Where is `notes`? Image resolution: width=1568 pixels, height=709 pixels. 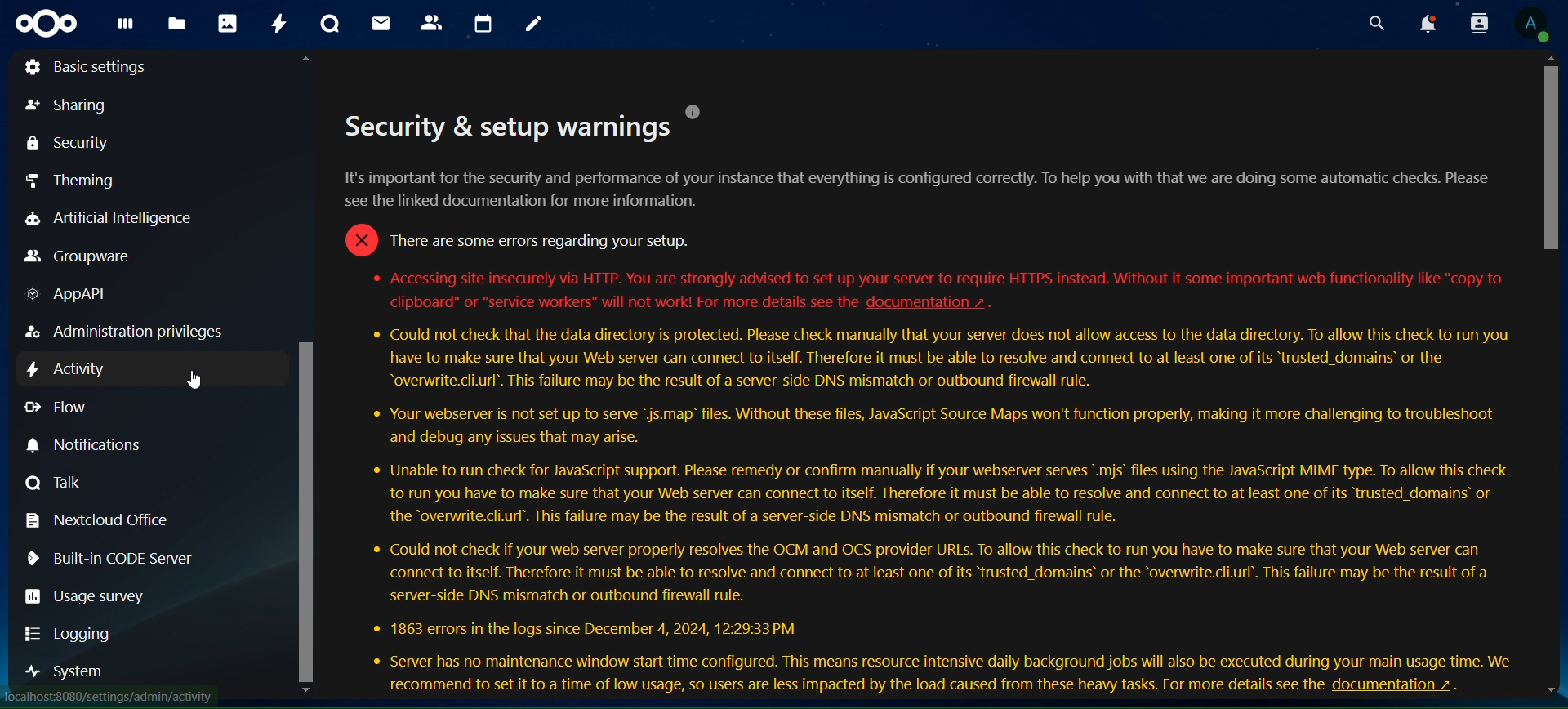
notes is located at coordinates (535, 24).